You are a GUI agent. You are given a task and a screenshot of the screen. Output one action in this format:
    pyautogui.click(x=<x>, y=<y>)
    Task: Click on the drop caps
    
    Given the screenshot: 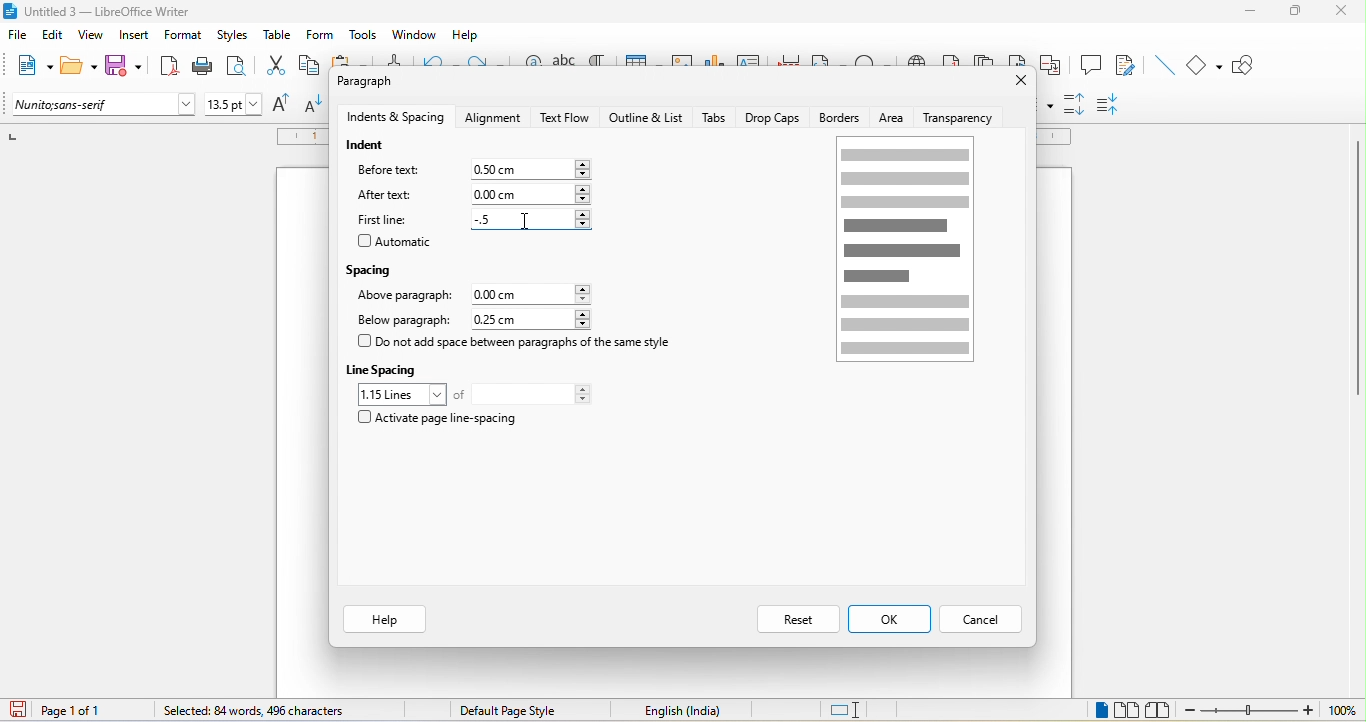 What is the action you would take?
    pyautogui.click(x=771, y=117)
    